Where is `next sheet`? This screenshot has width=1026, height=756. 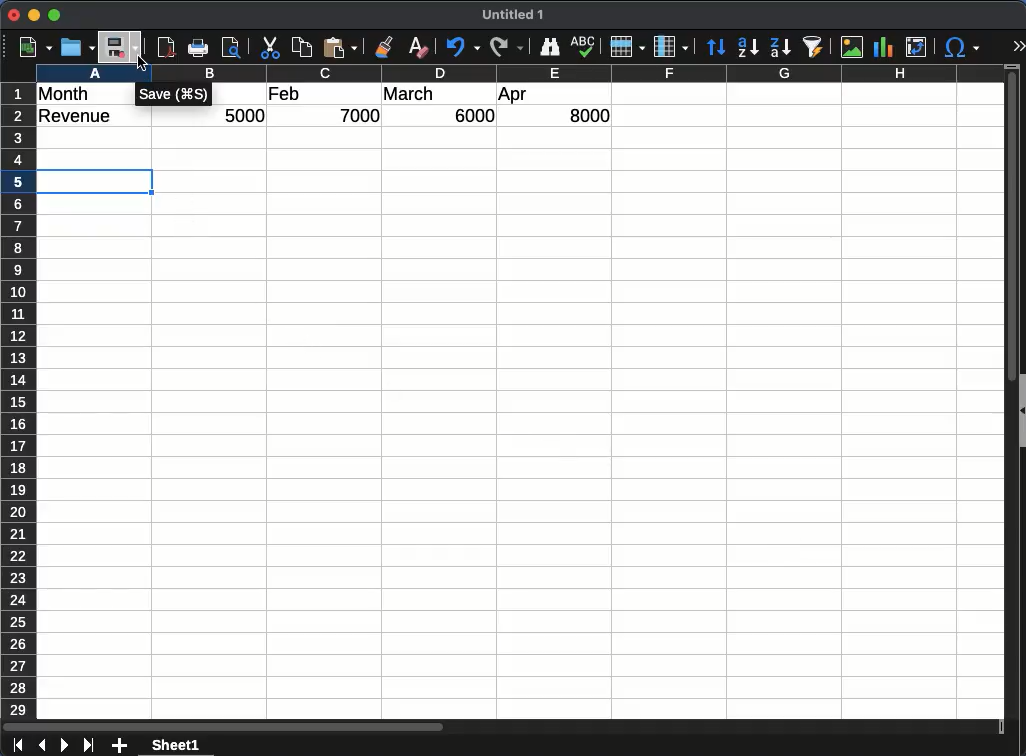
next sheet is located at coordinates (63, 746).